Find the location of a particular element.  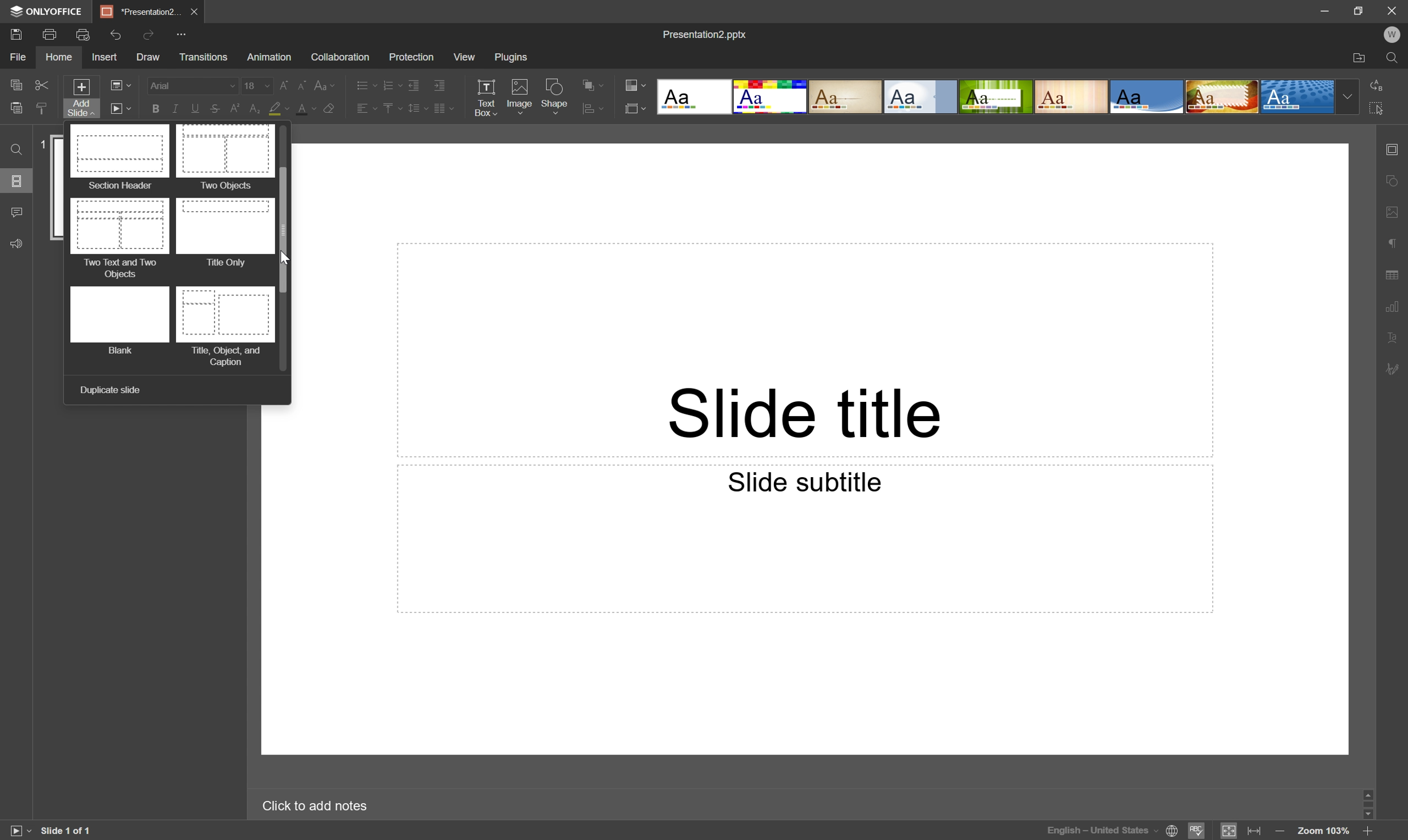

Open file location is located at coordinates (1360, 58).